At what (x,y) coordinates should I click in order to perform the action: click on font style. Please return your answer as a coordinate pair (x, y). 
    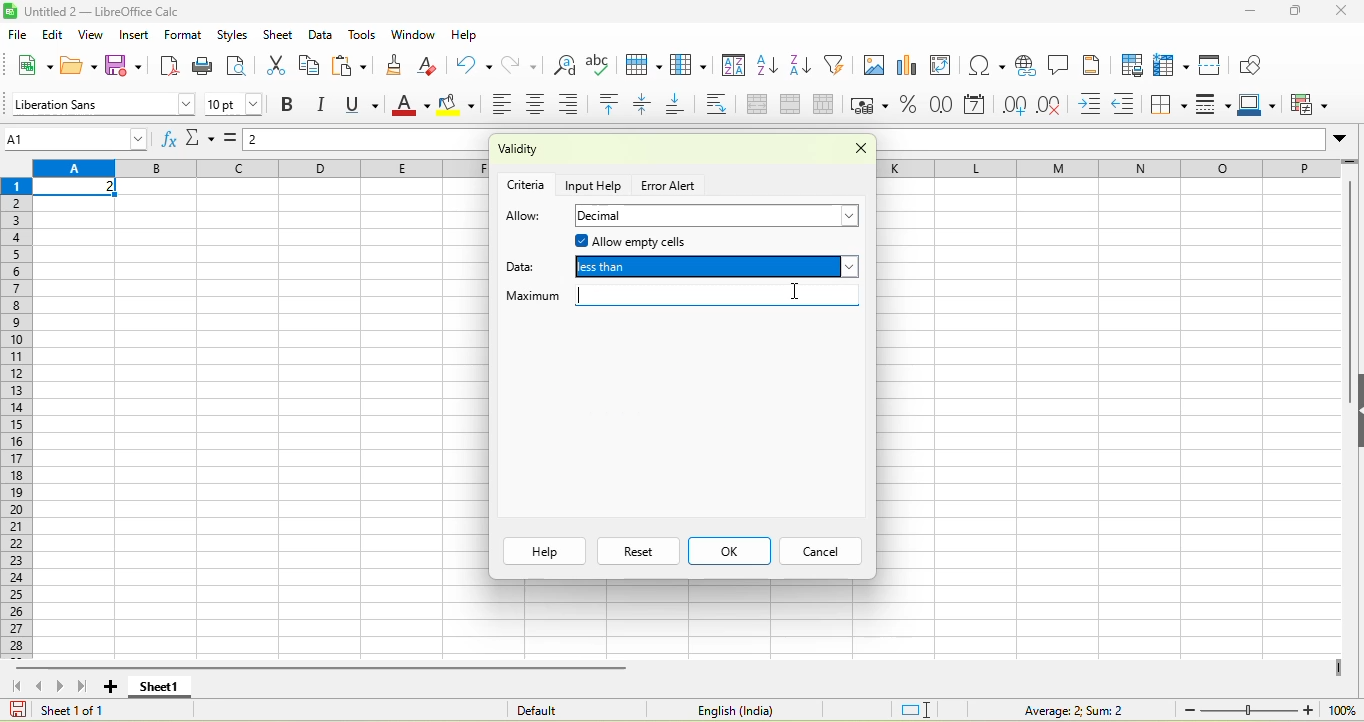
    Looking at the image, I should click on (101, 103).